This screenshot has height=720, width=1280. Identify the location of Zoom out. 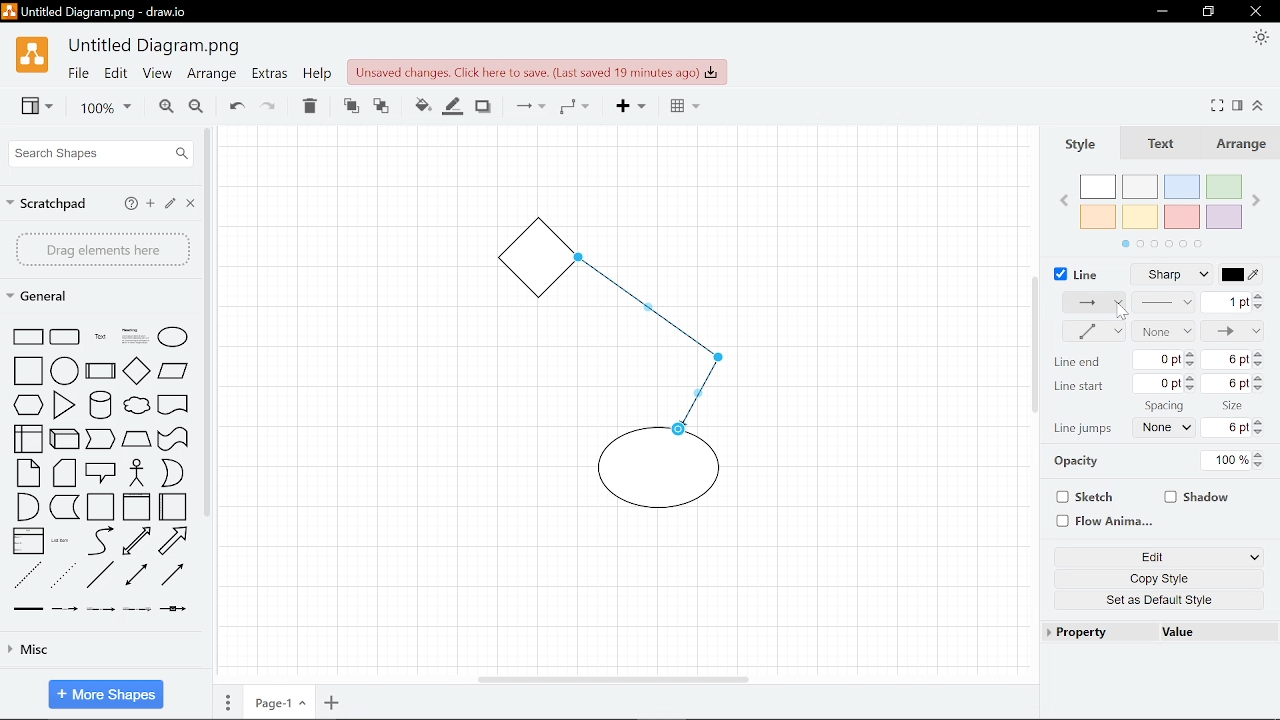
(196, 107).